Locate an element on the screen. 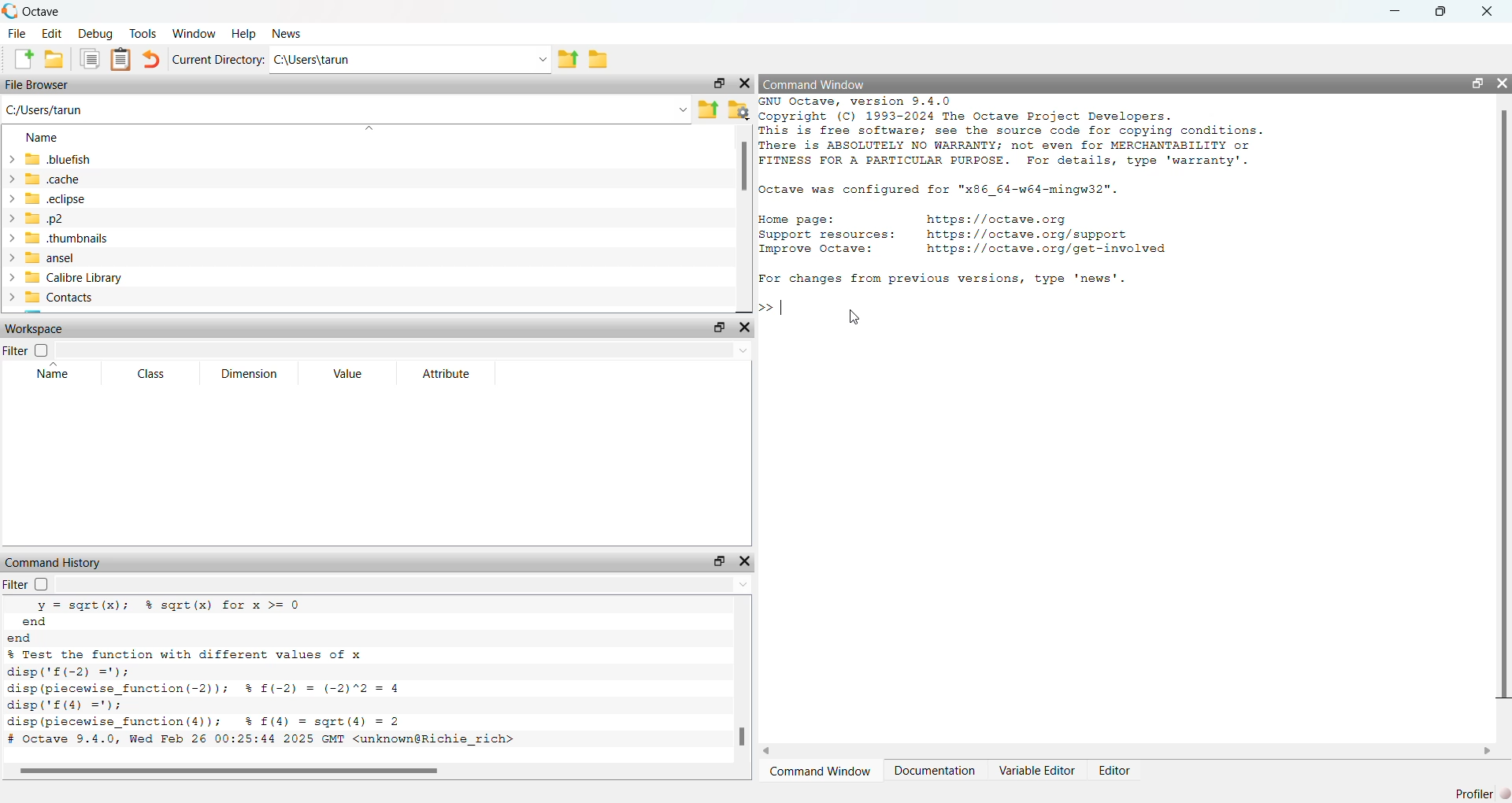  Editor is located at coordinates (1117, 769).